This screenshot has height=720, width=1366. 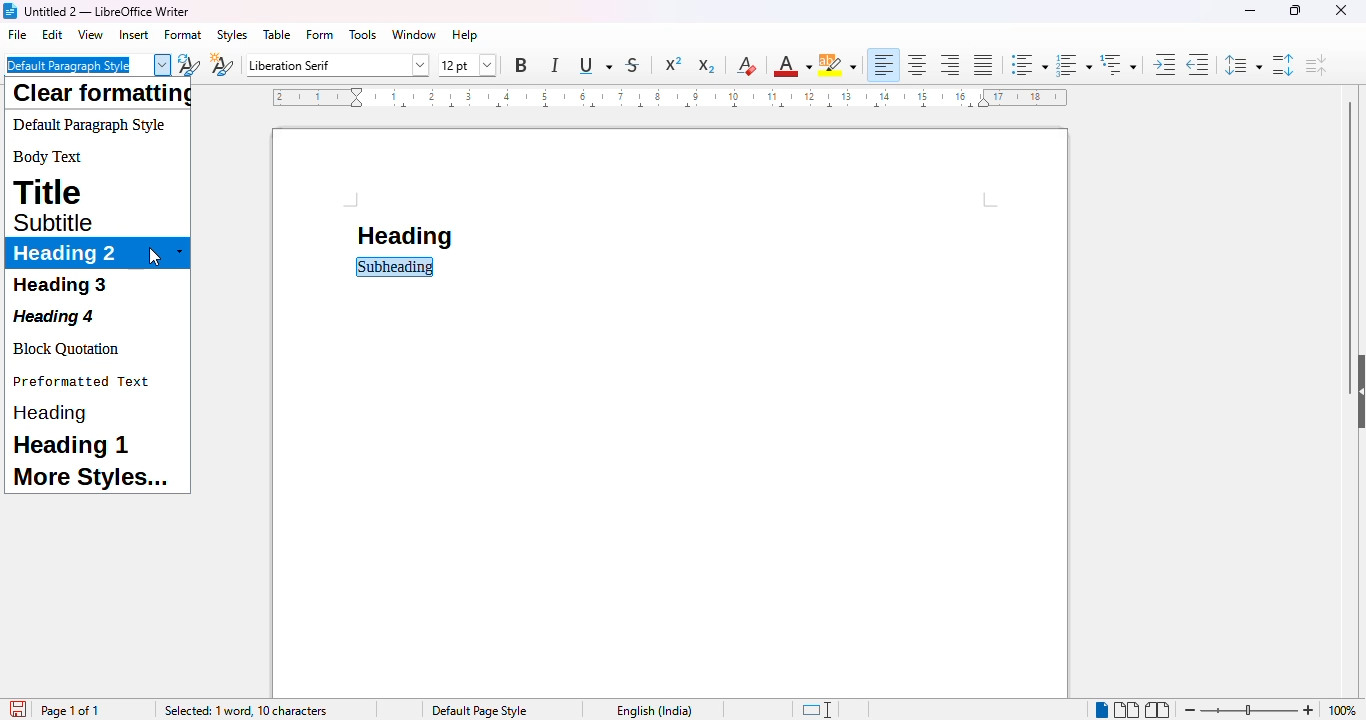 I want to click on clear direct formatting, so click(x=746, y=65).